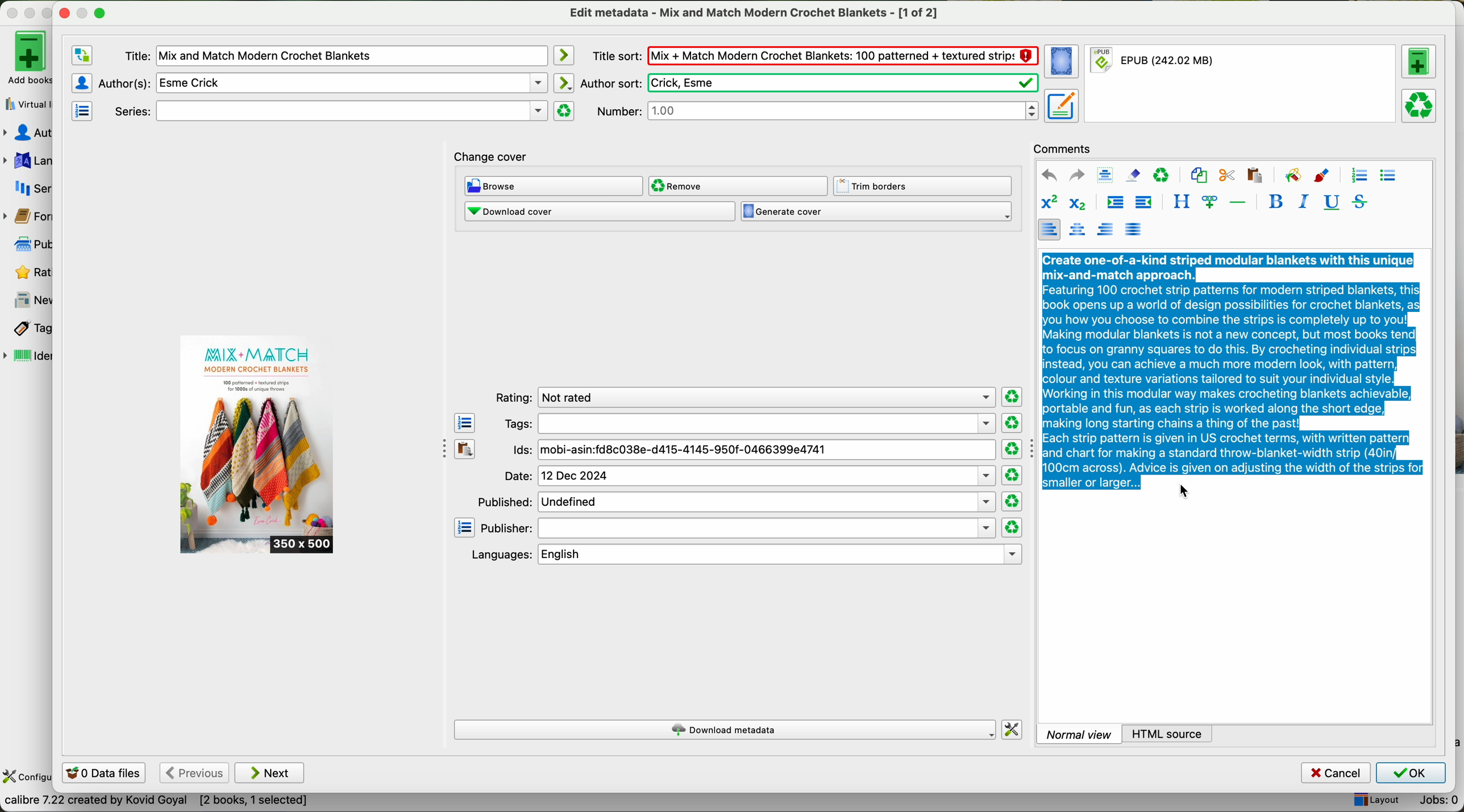 This screenshot has height=812, width=1464. I want to click on configure, so click(27, 777).